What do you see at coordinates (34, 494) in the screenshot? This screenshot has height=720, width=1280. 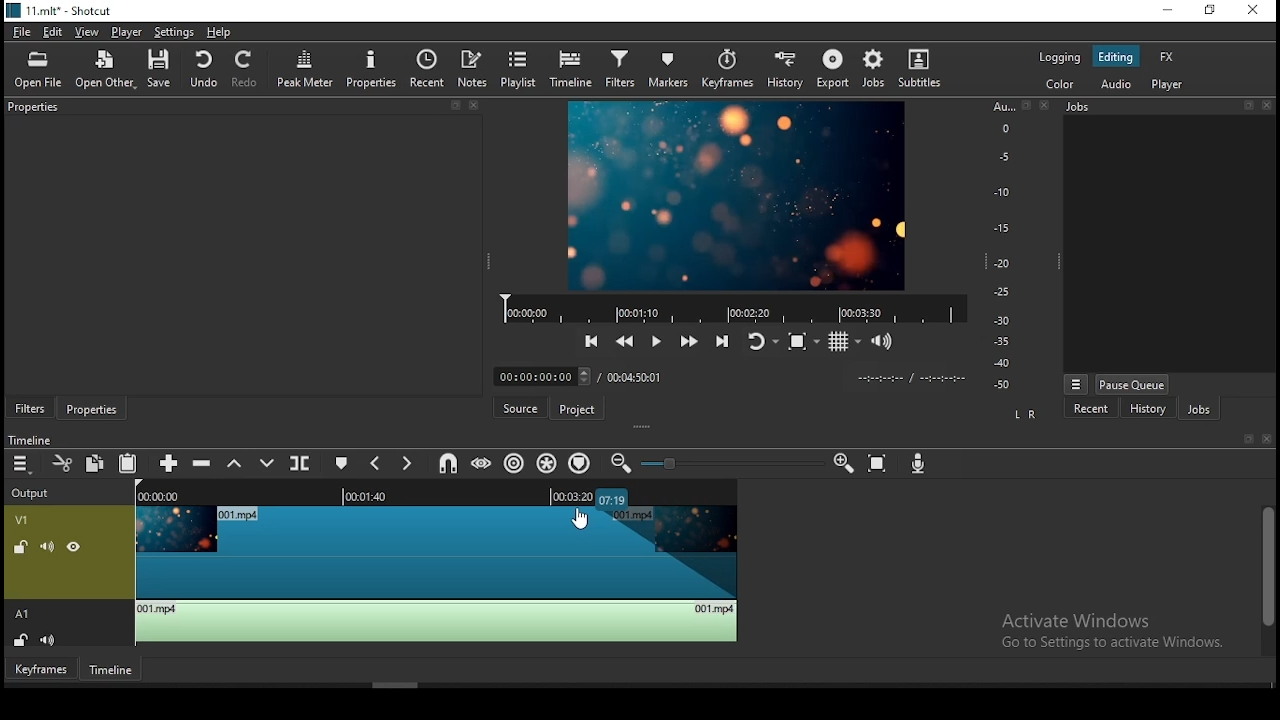 I see `output` at bounding box center [34, 494].